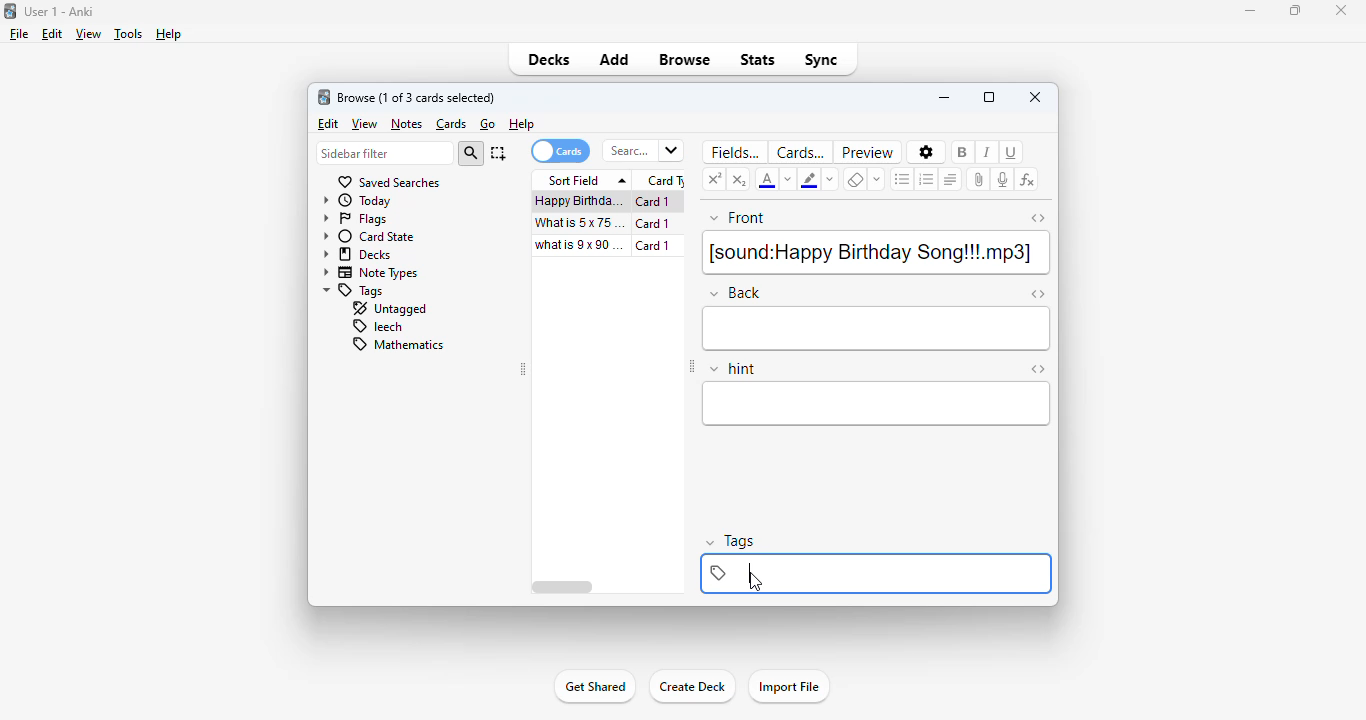 The height and width of the screenshot is (720, 1366). What do you see at coordinates (579, 201) in the screenshot?
I see `happy birthday song!!!` at bounding box center [579, 201].